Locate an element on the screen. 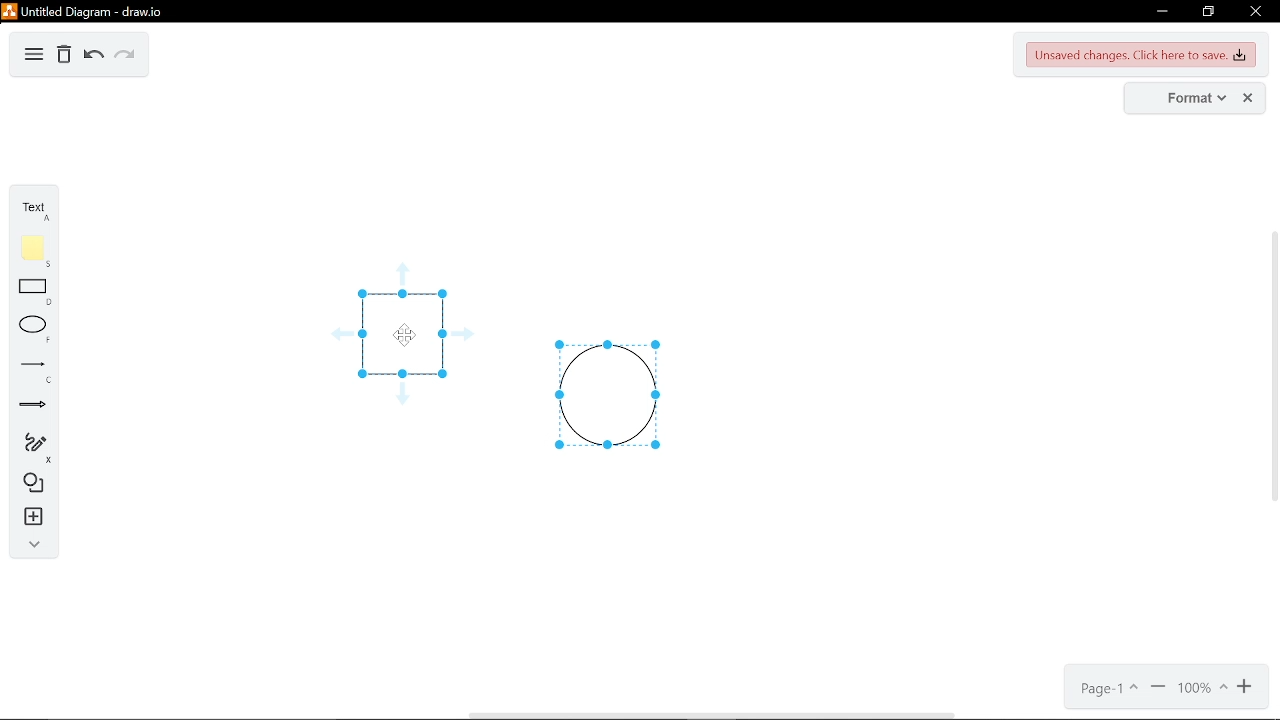 This screenshot has height=720, width=1280. guide arrow is located at coordinates (342, 333).